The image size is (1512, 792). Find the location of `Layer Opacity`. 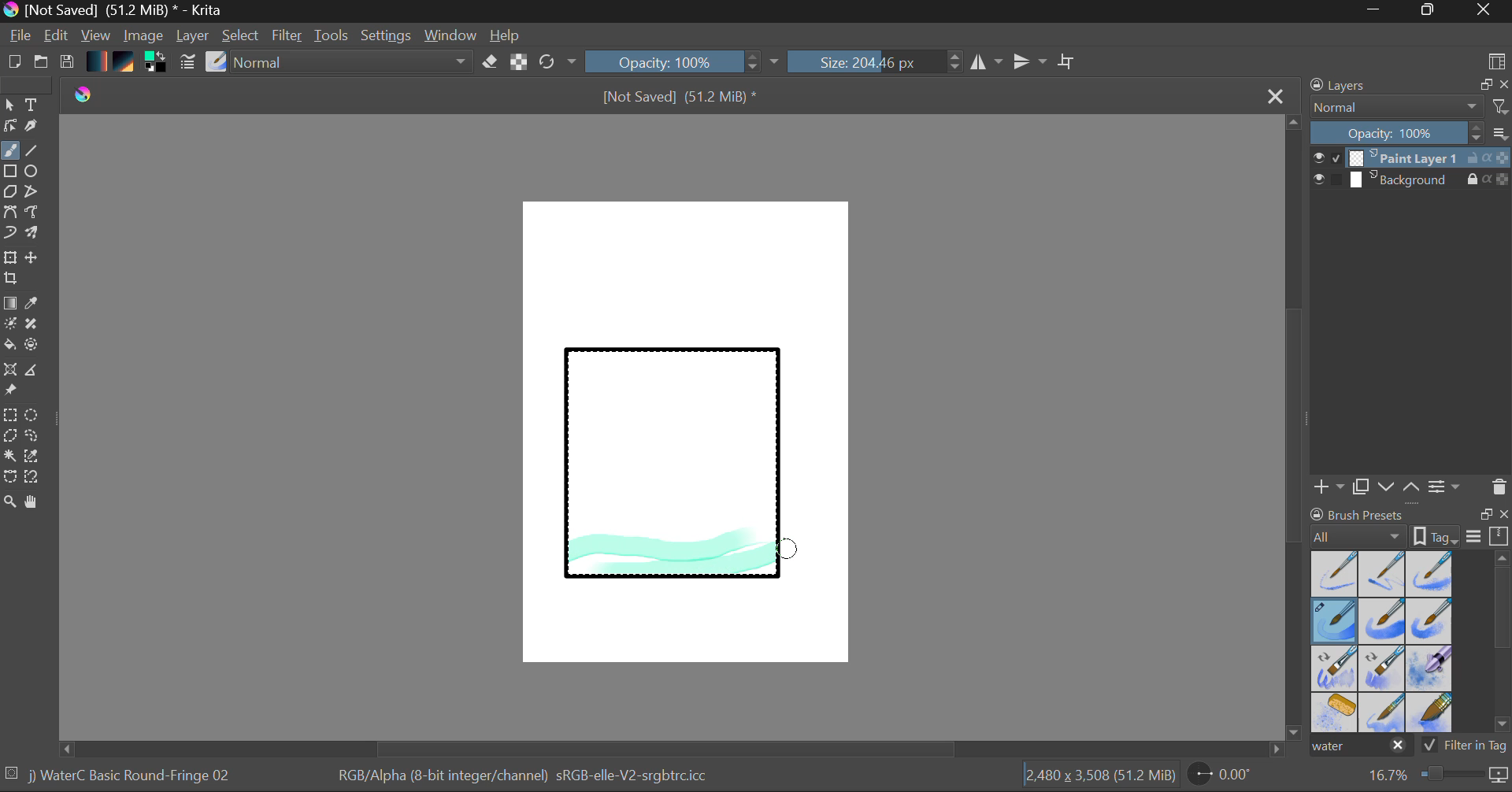

Layer Opacity is located at coordinates (1412, 134).